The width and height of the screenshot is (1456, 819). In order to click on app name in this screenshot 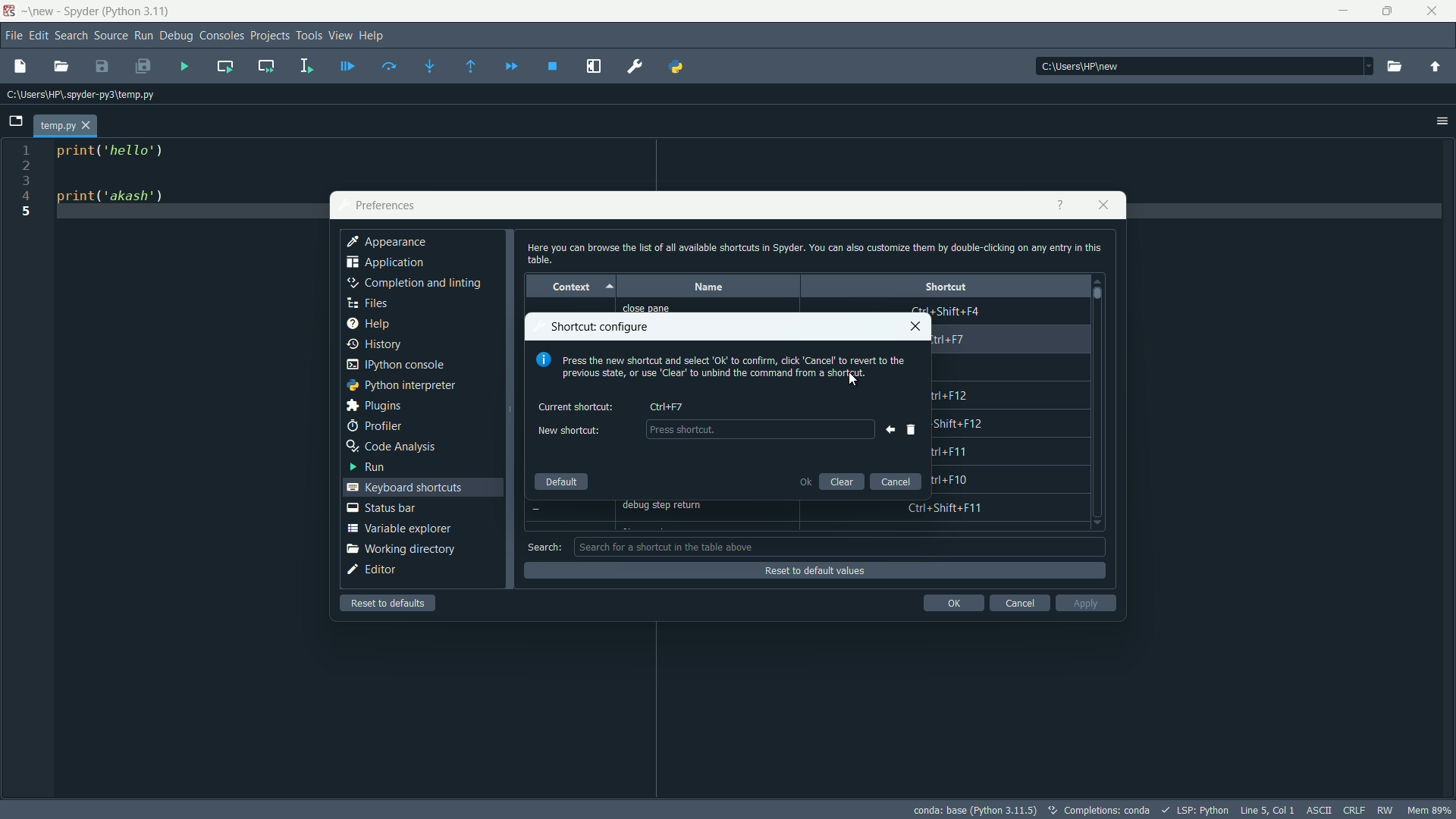, I will do `click(98, 13)`.